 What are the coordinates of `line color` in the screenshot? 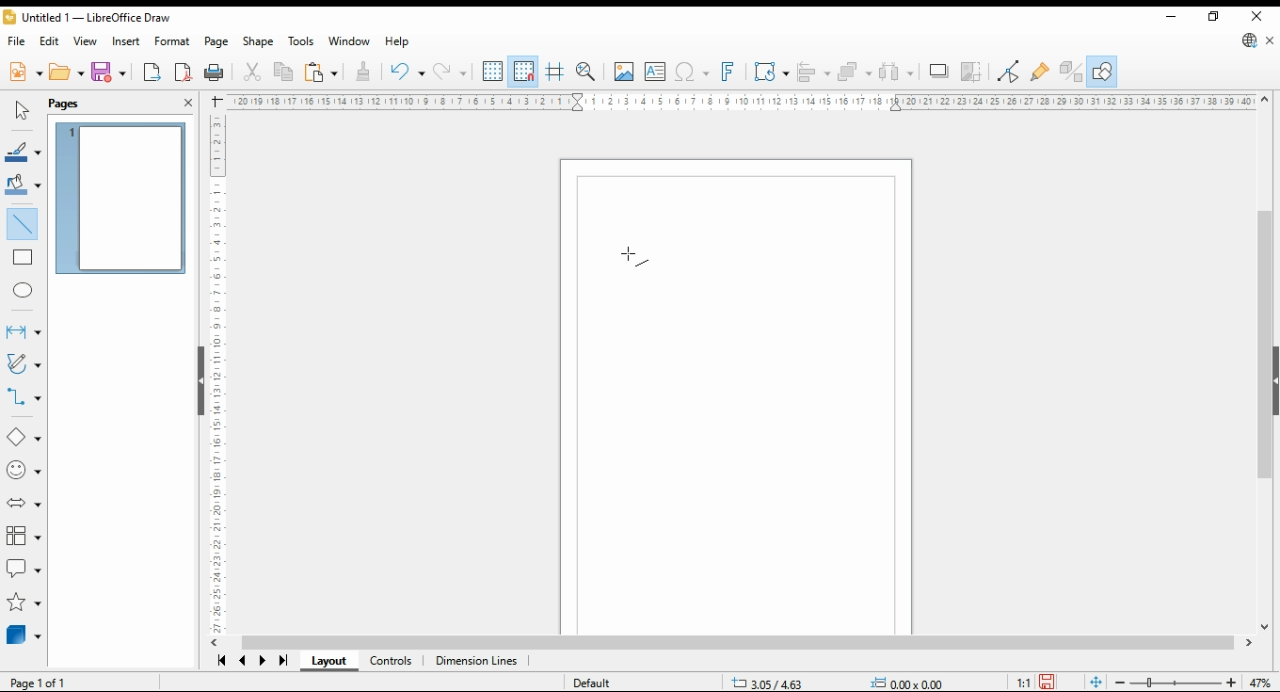 It's located at (24, 152).